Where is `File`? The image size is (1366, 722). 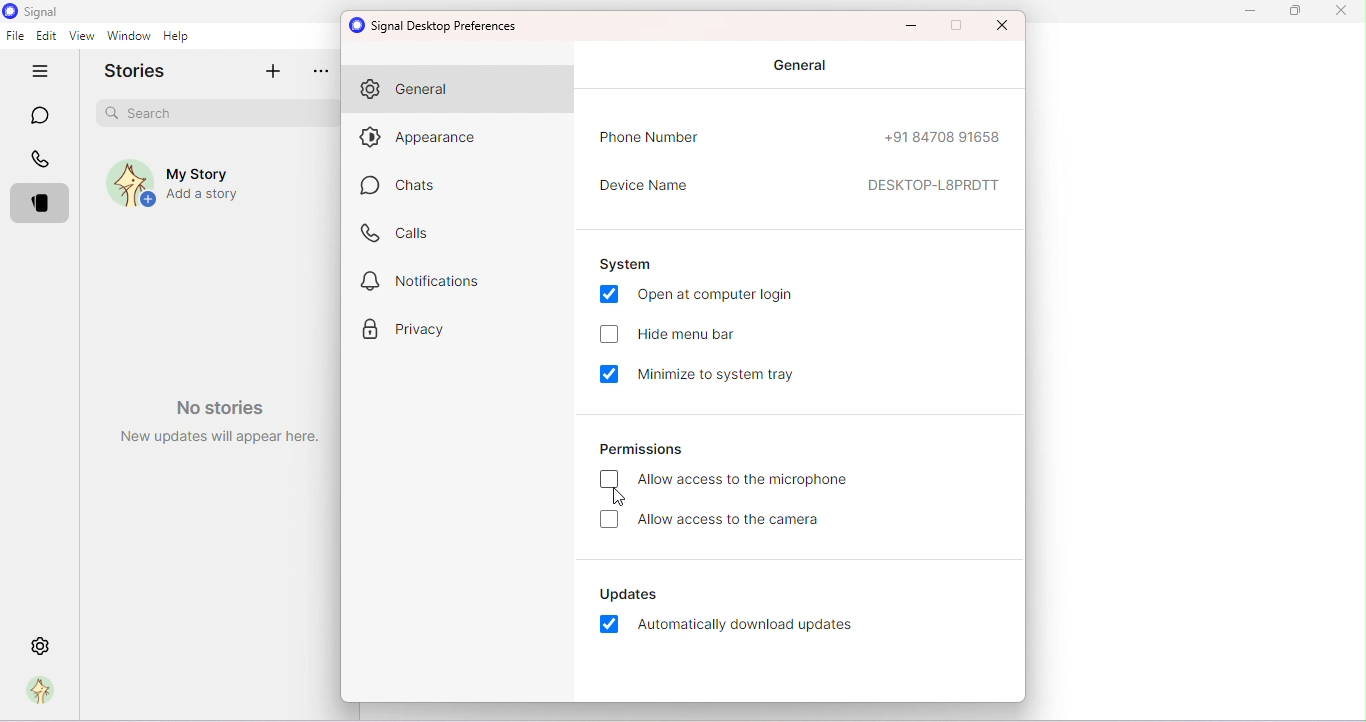
File is located at coordinates (17, 38).